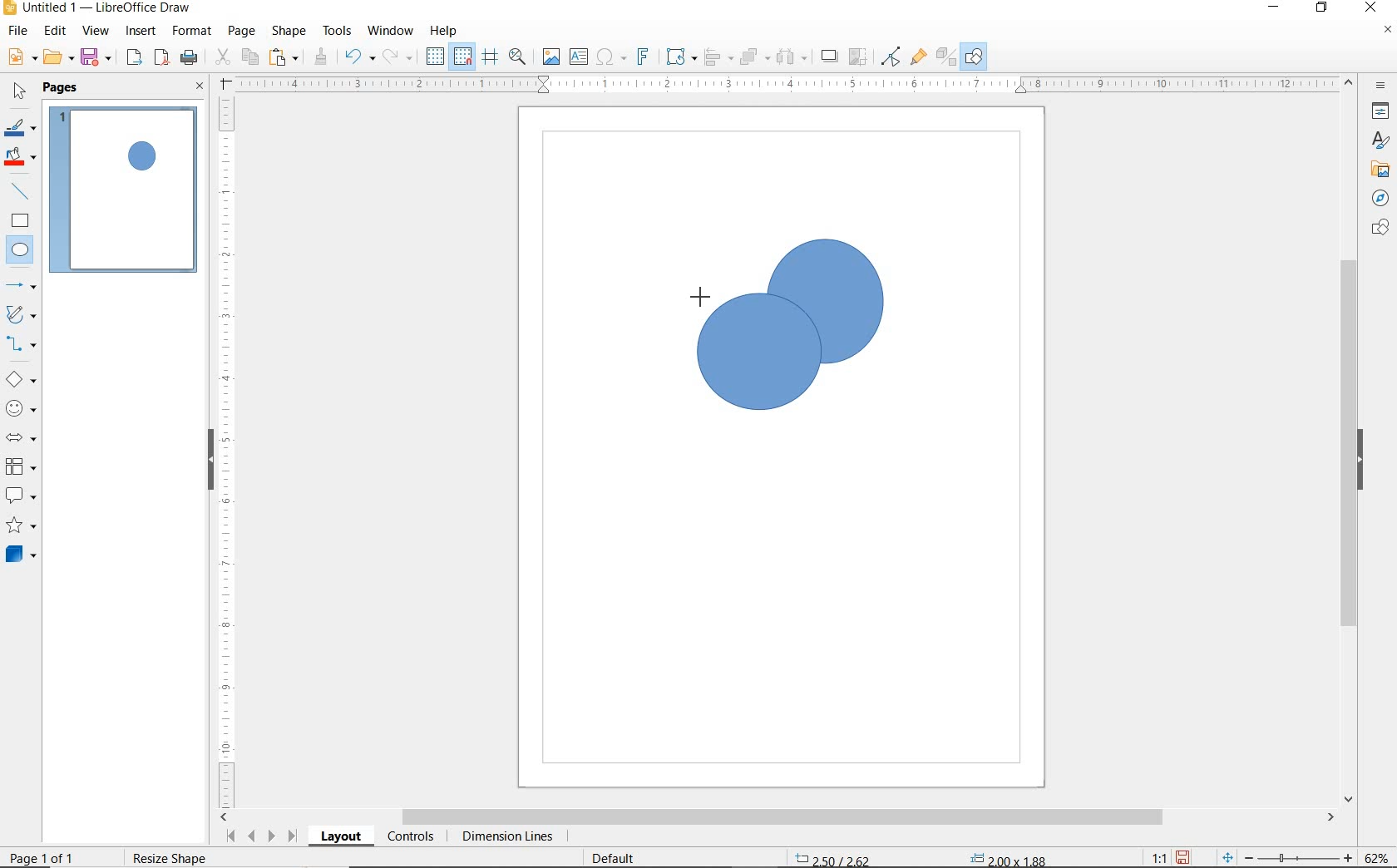 The height and width of the screenshot is (868, 1397). What do you see at coordinates (200, 87) in the screenshot?
I see `CLOSE` at bounding box center [200, 87].